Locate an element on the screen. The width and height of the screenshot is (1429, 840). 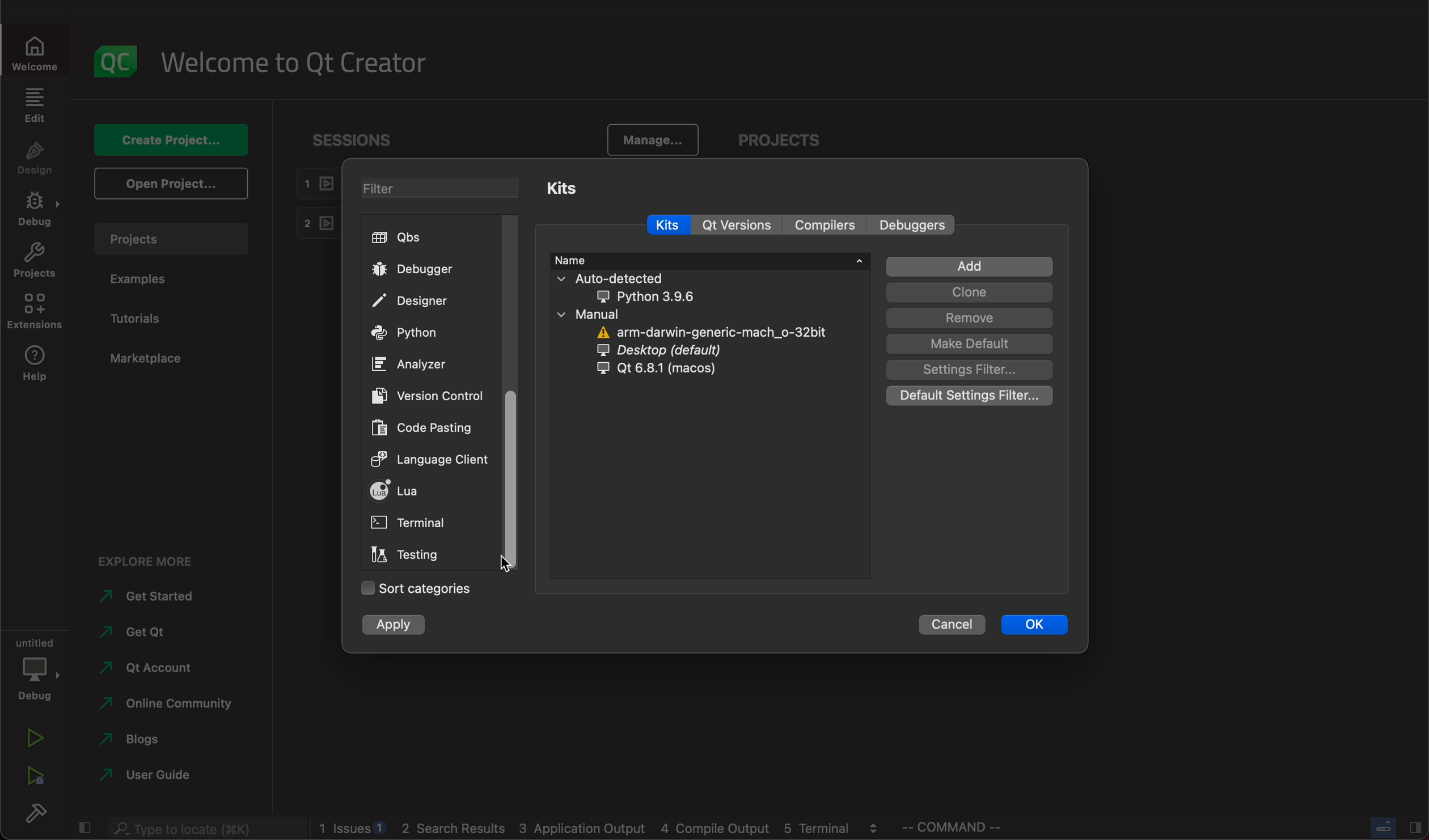
logo is located at coordinates (119, 61).